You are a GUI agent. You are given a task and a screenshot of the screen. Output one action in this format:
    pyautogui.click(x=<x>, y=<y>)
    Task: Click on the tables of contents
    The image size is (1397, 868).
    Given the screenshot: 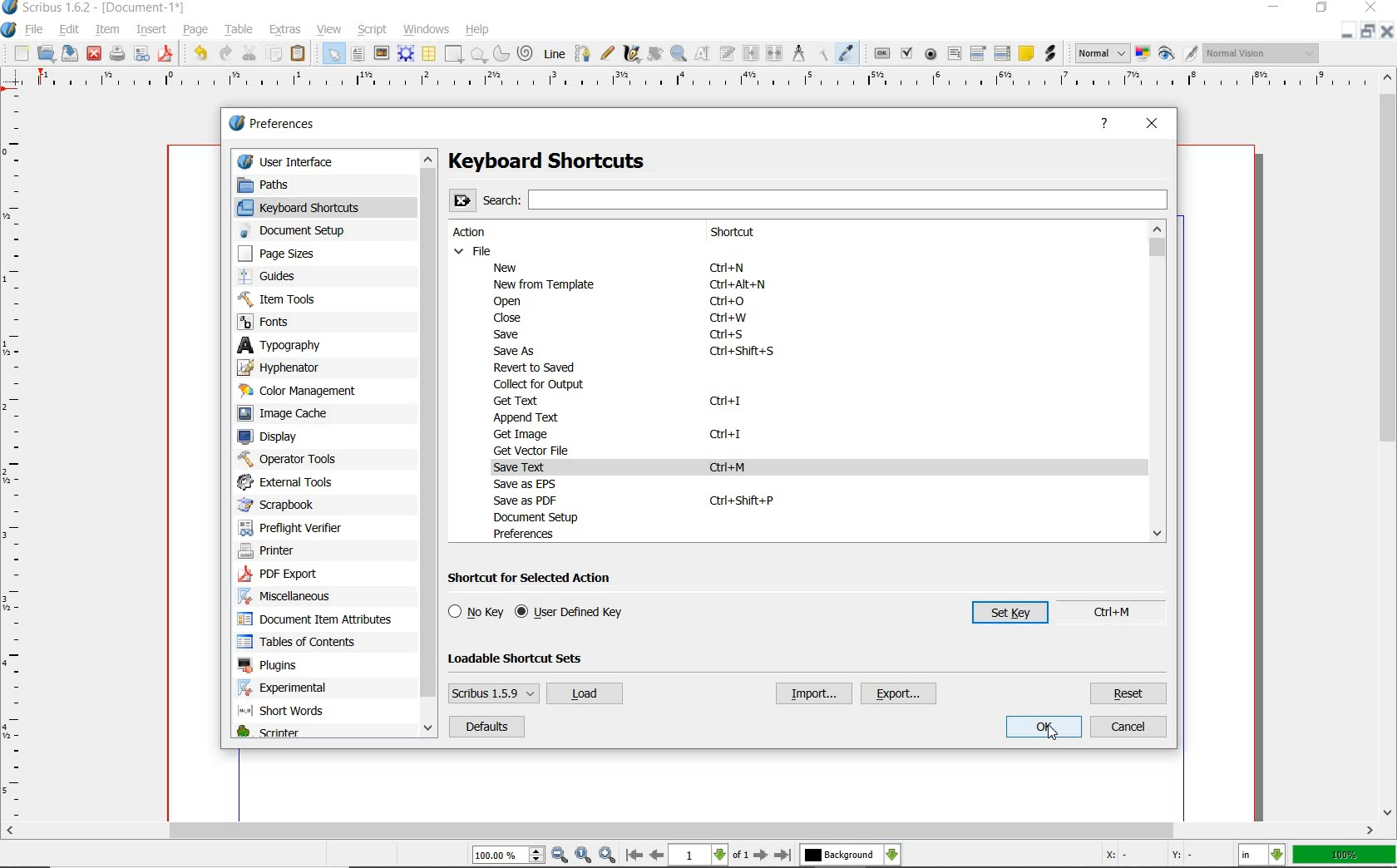 What is the action you would take?
    pyautogui.click(x=304, y=643)
    